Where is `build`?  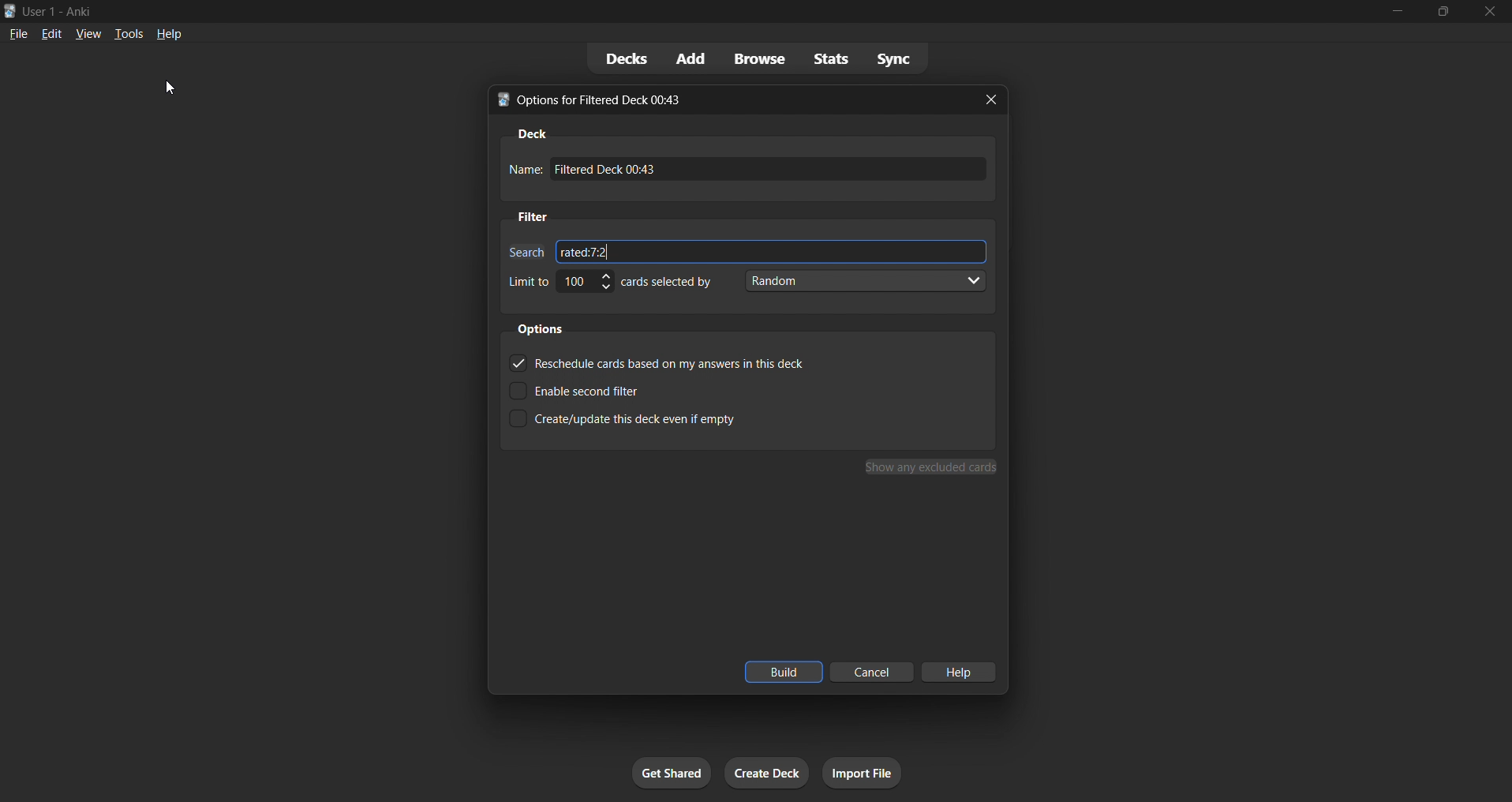
build is located at coordinates (782, 672).